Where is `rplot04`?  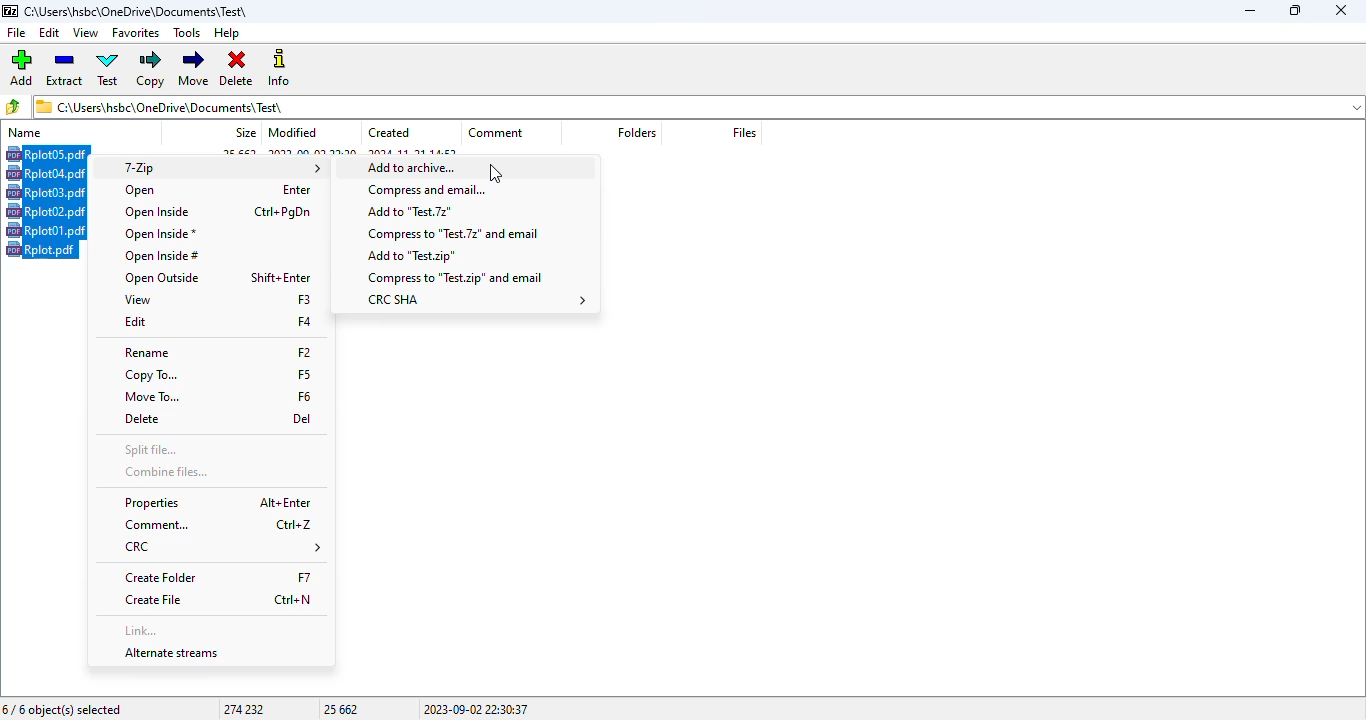 rplot04 is located at coordinates (45, 173).